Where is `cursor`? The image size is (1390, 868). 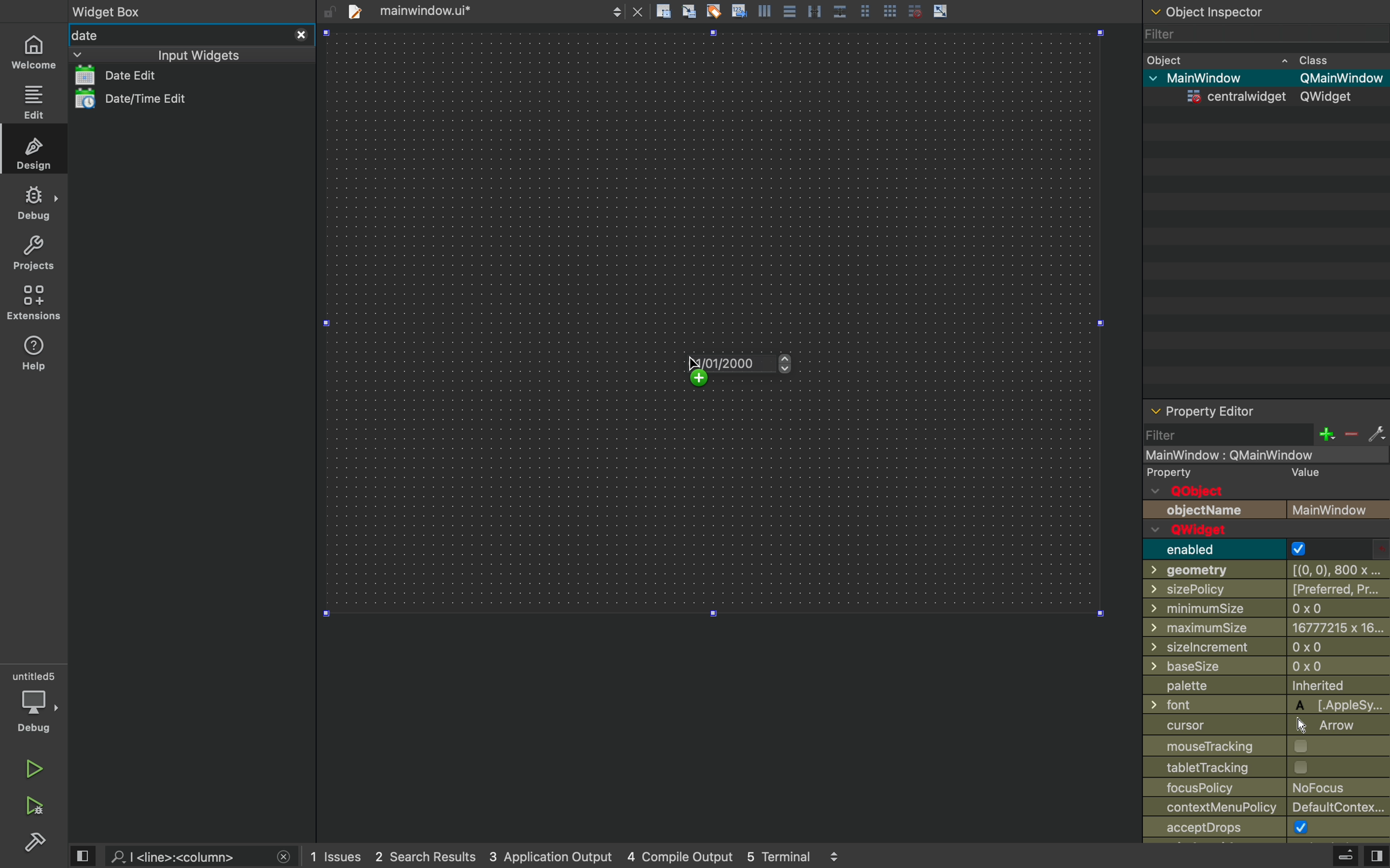
cursor is located at coordinates (1258, 727).